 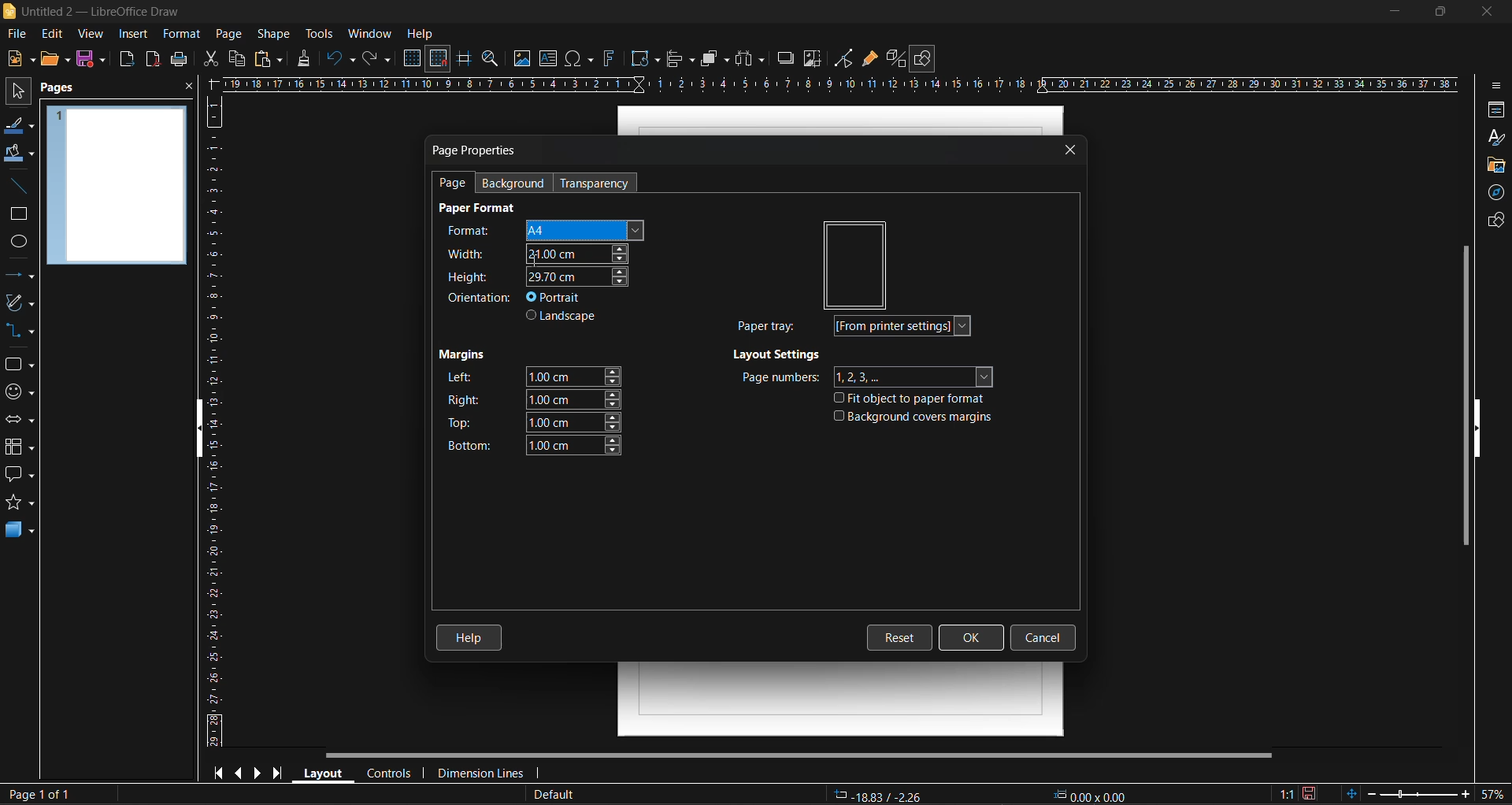 I want to click on insert, so click(x=135, y=32).